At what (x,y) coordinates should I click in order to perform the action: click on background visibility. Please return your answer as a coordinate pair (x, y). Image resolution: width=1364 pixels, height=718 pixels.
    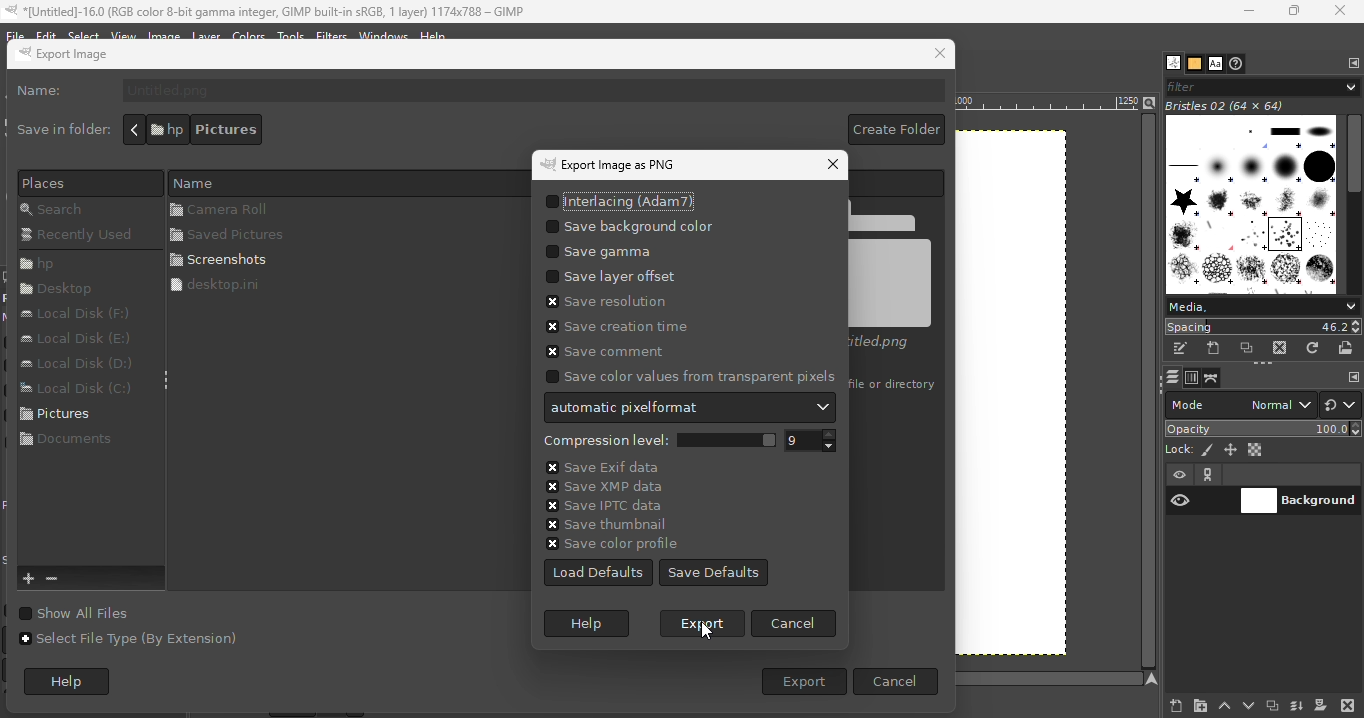
    Looking at the image, I should click on (1209, 475).